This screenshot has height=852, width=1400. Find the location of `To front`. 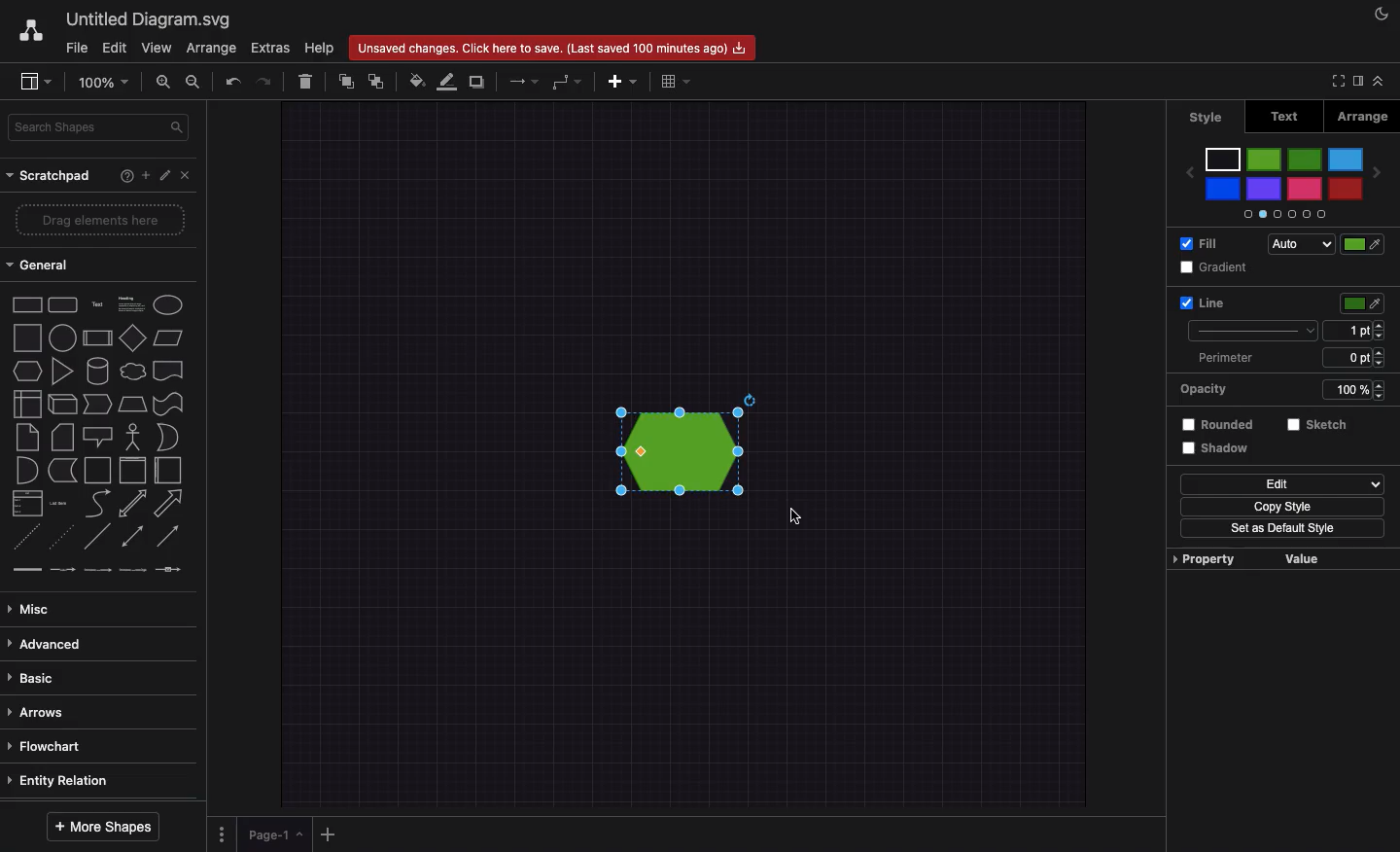

To front is located at coordinates (346, 83).